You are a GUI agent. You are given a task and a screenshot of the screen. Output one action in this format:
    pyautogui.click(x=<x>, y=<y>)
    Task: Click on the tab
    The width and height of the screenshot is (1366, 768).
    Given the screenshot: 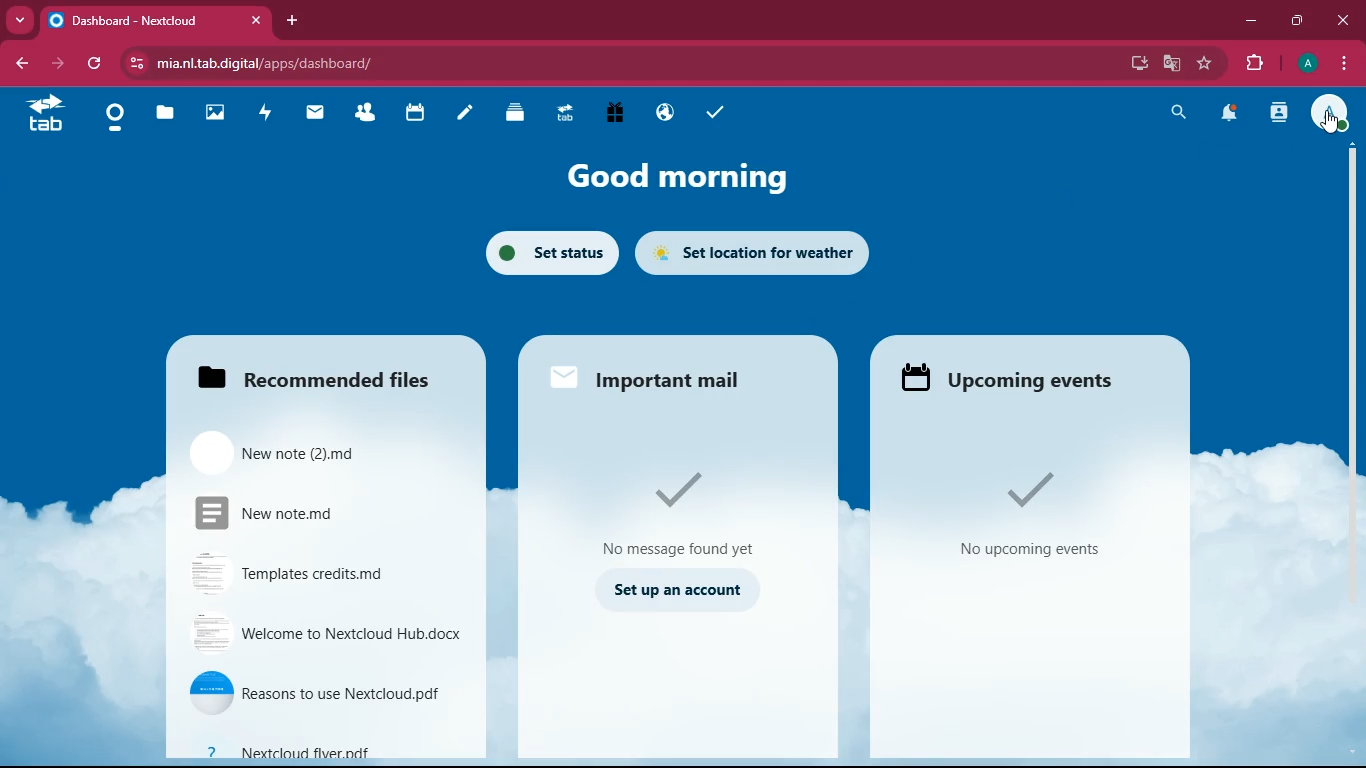 What is the action you would take?
    pyautogui.click(x=154, y=16)
    